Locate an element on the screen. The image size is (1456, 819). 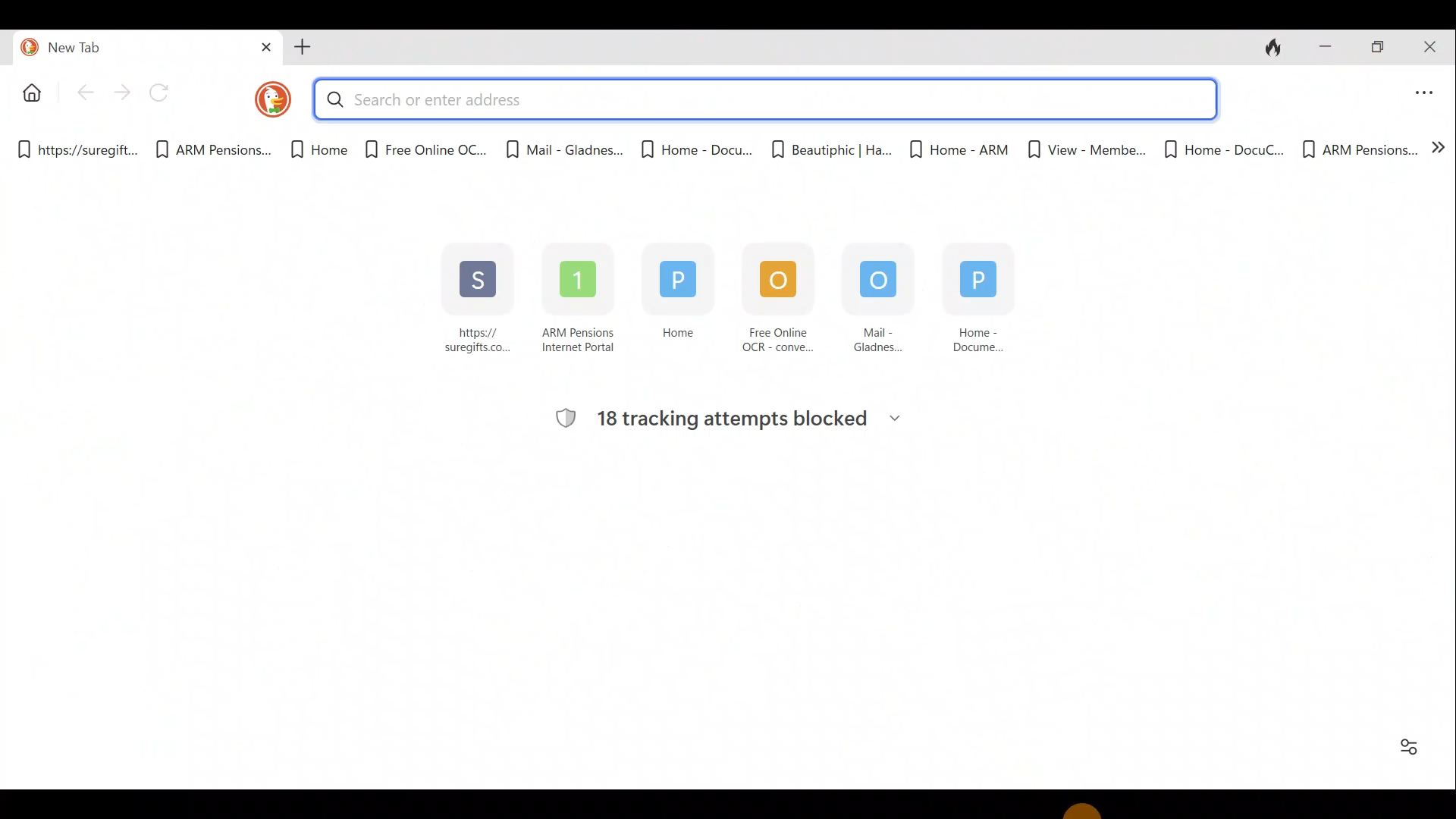
ARM Pensions Internet Portal is located at coordinates (581, 303).